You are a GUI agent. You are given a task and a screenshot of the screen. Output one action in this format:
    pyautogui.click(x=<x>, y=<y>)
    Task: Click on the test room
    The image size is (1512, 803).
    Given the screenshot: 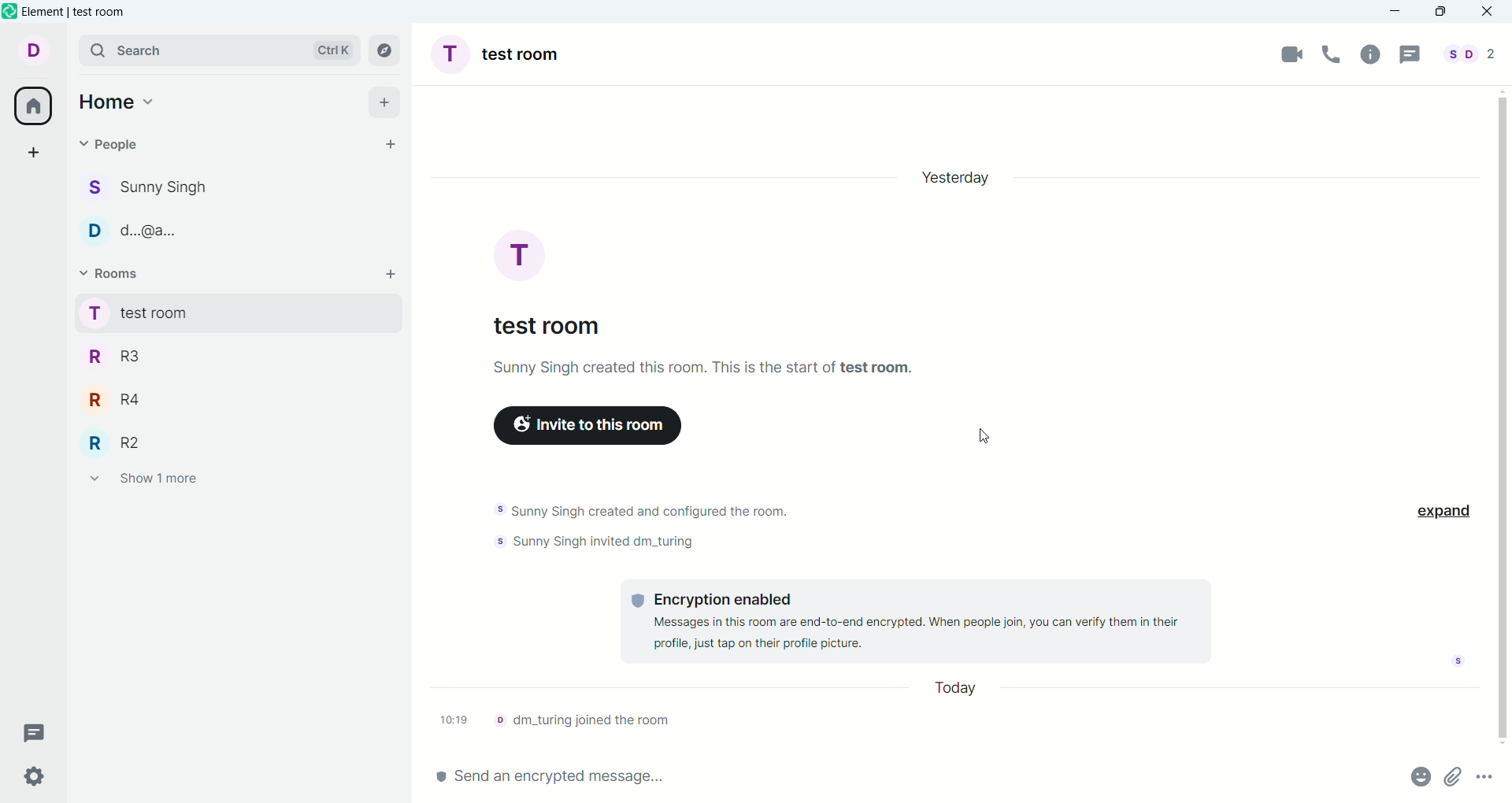 What is the action you would take?
    pyautogui.click(x=543, y=327)
    